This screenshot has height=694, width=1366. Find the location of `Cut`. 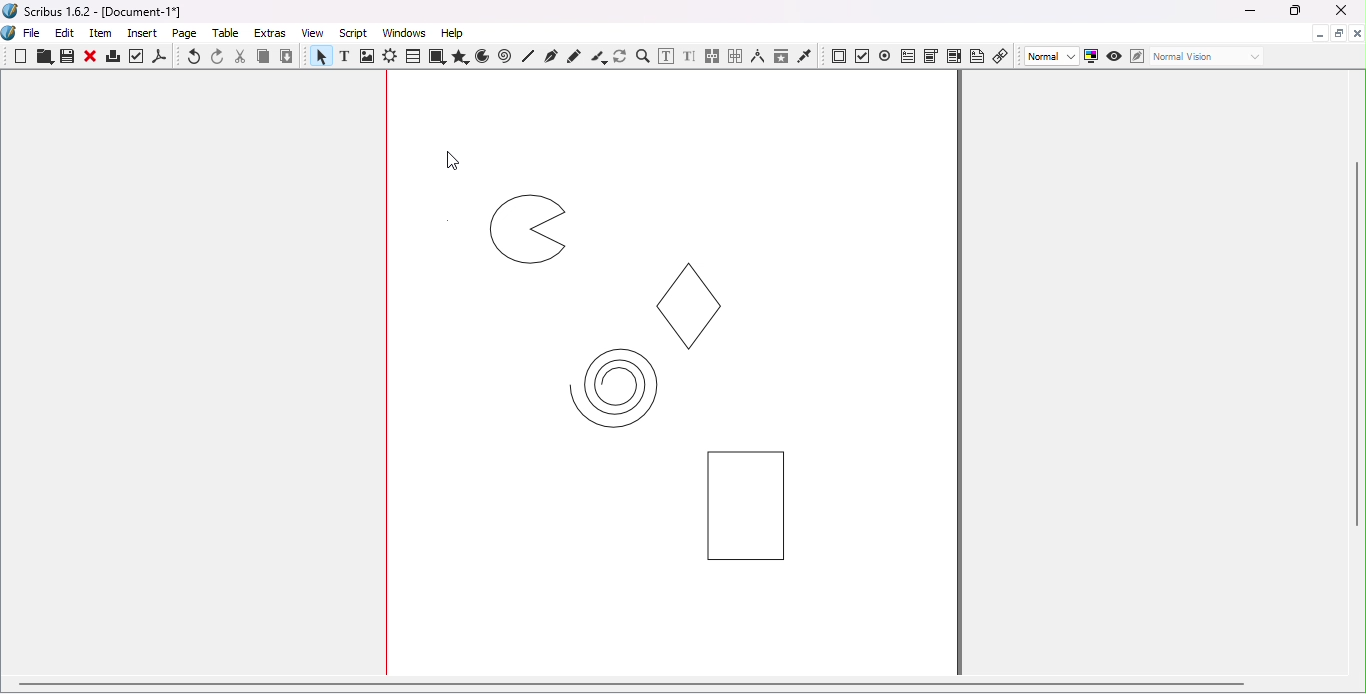

Cut is located at coordinates (241, 57).